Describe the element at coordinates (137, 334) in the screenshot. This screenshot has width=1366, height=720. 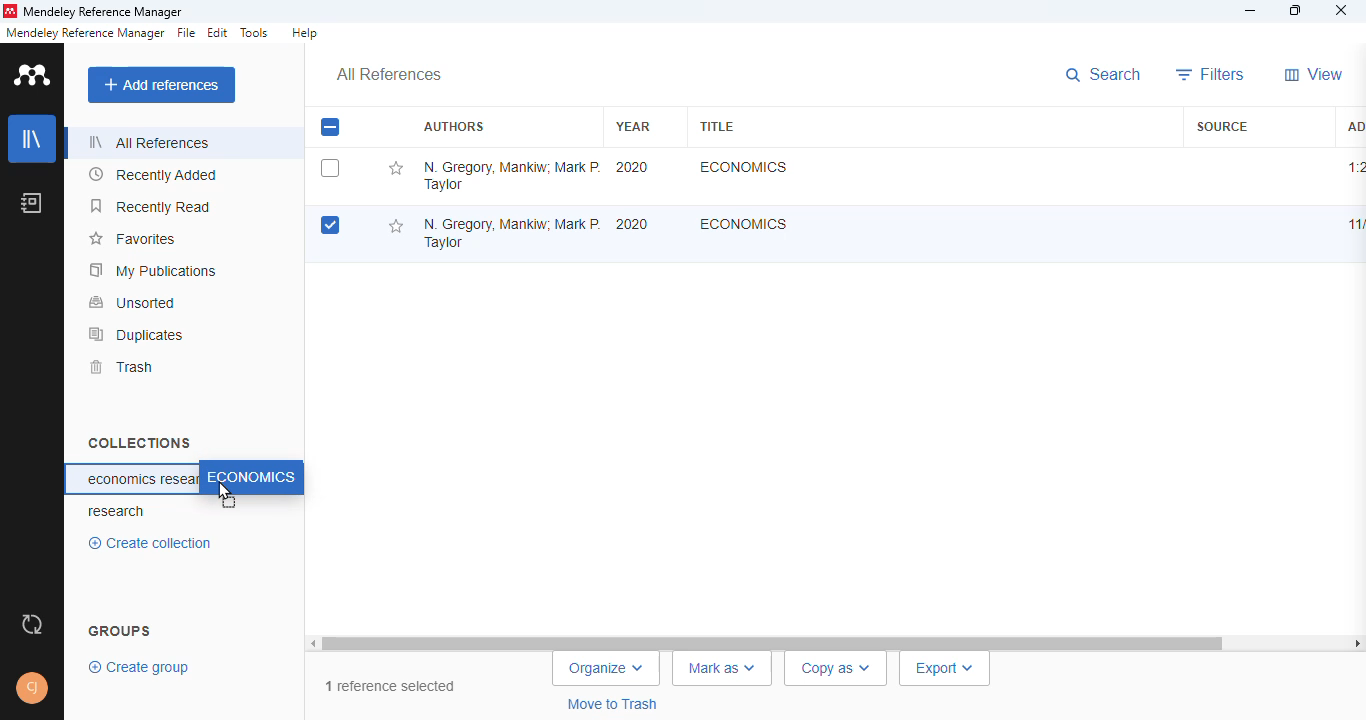
I see `duplicates` at that location.